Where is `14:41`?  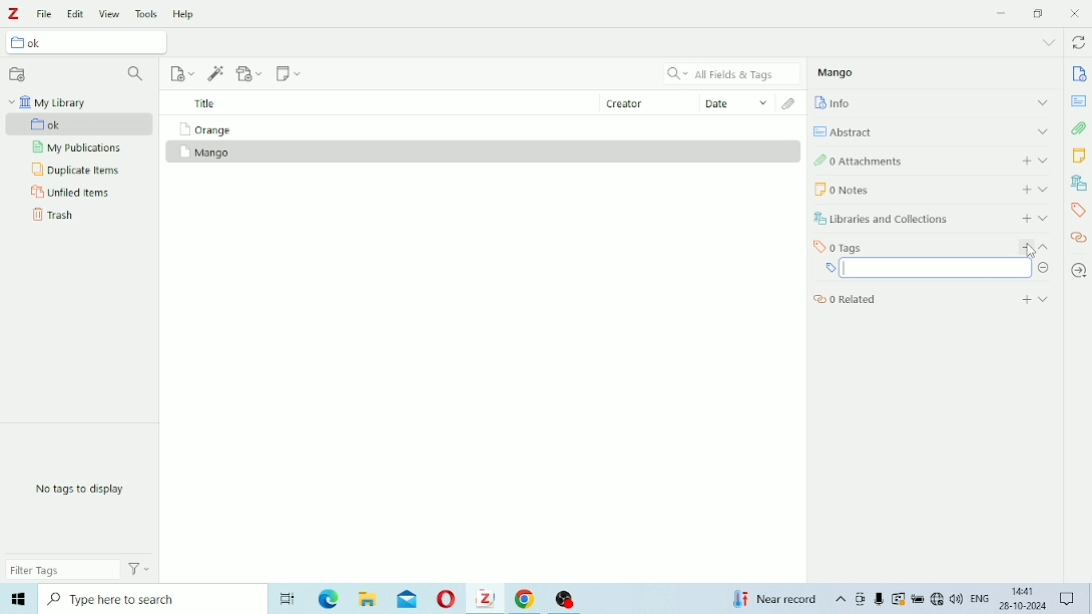
14:41 is located at coordinates (1024, 591).